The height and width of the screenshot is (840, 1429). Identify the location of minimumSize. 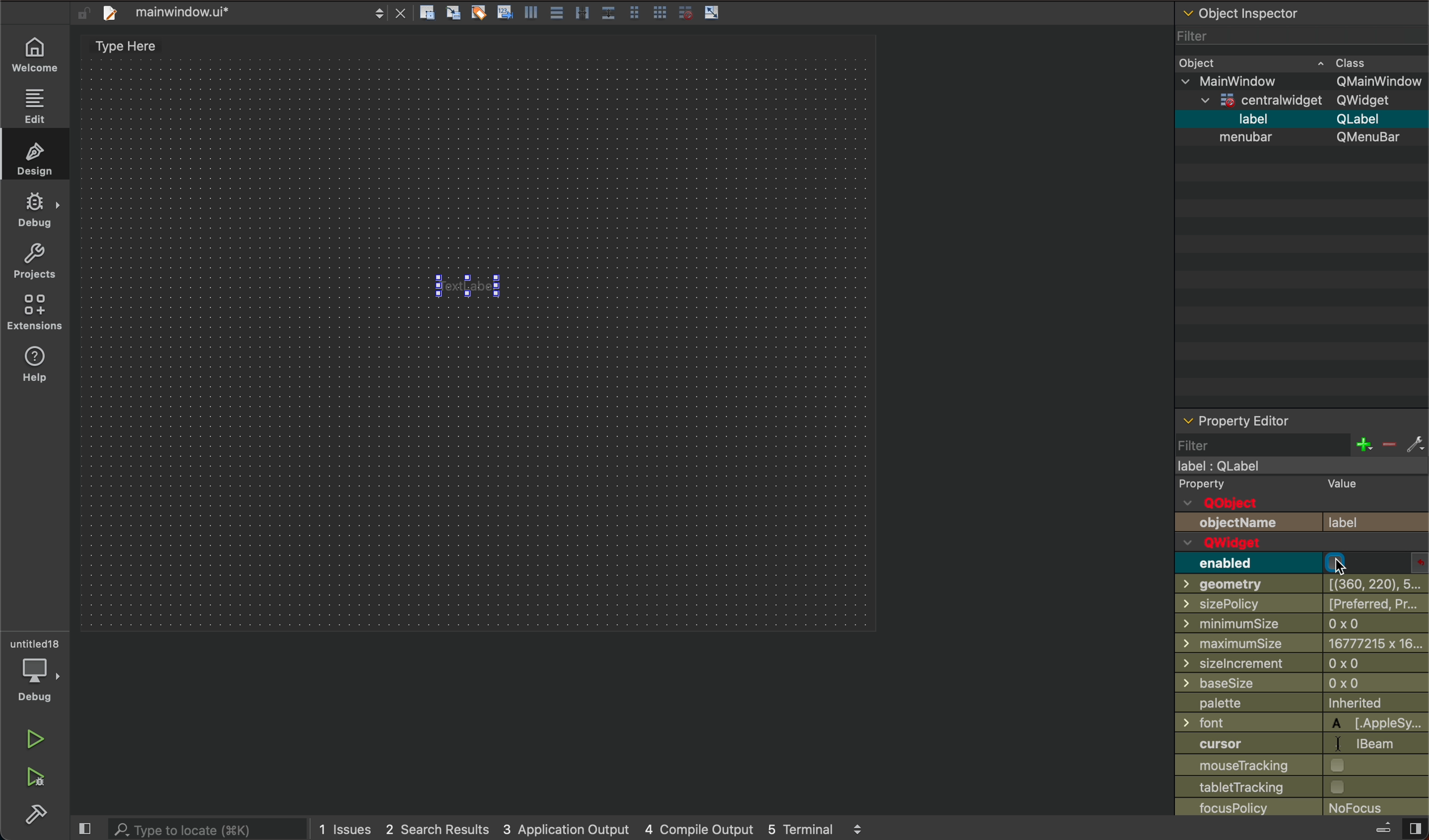
(1247, 623).